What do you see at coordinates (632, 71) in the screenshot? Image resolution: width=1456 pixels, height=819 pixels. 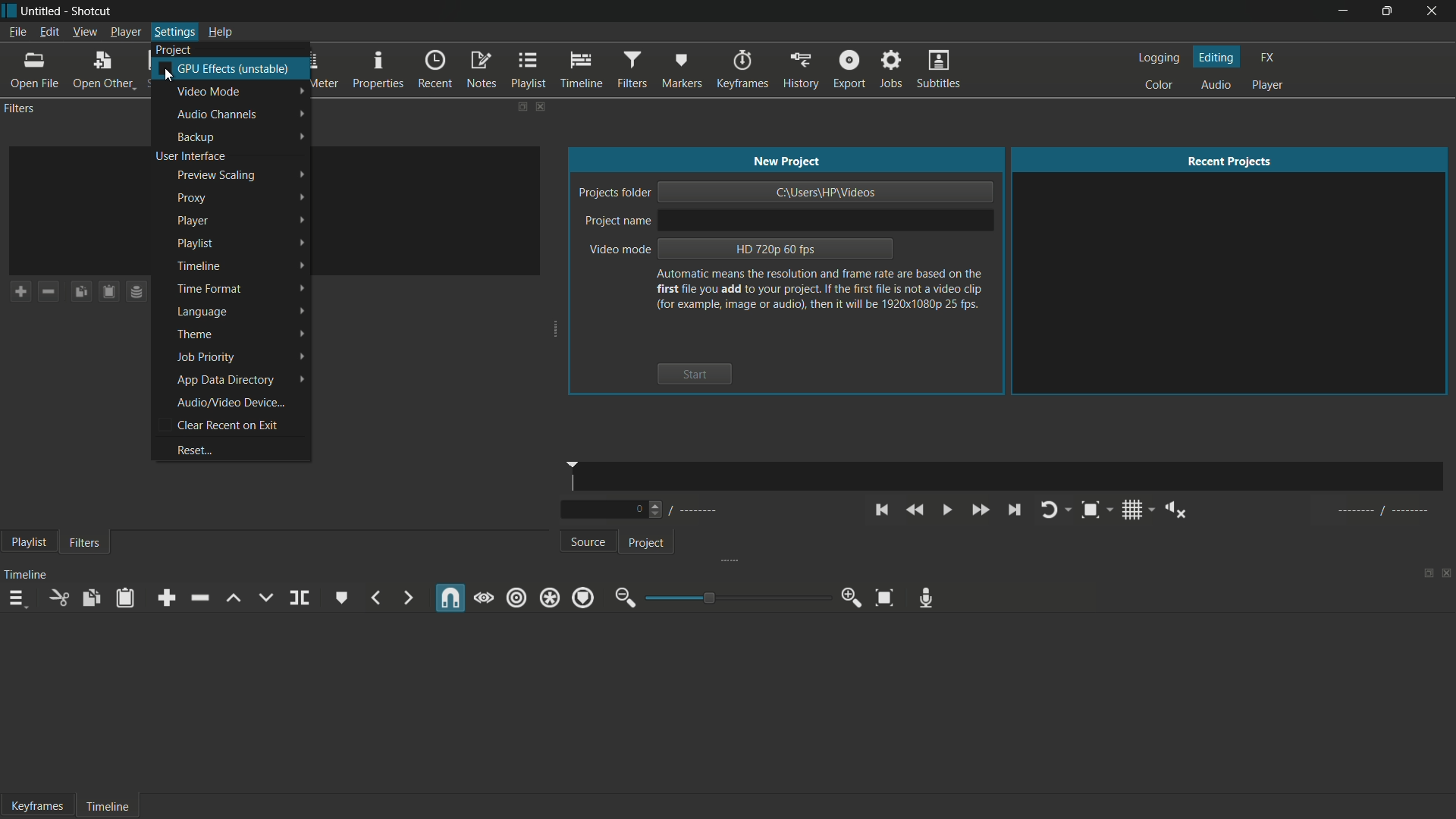 I see `filters` at bounding box center [632, 71].